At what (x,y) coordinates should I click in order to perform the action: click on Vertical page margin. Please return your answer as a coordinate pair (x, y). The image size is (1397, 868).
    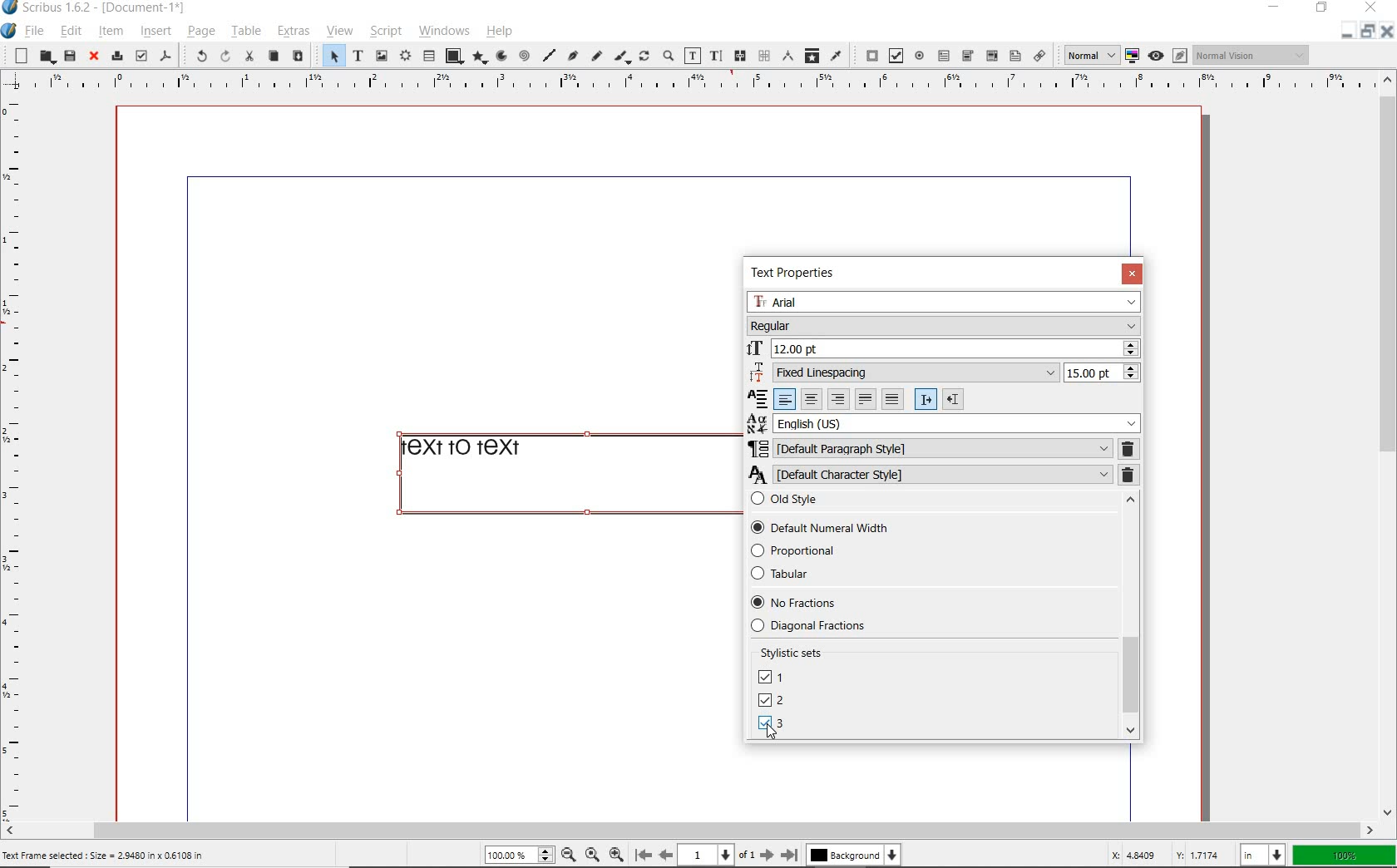
    Looking at the image, I should click on (683, 83).